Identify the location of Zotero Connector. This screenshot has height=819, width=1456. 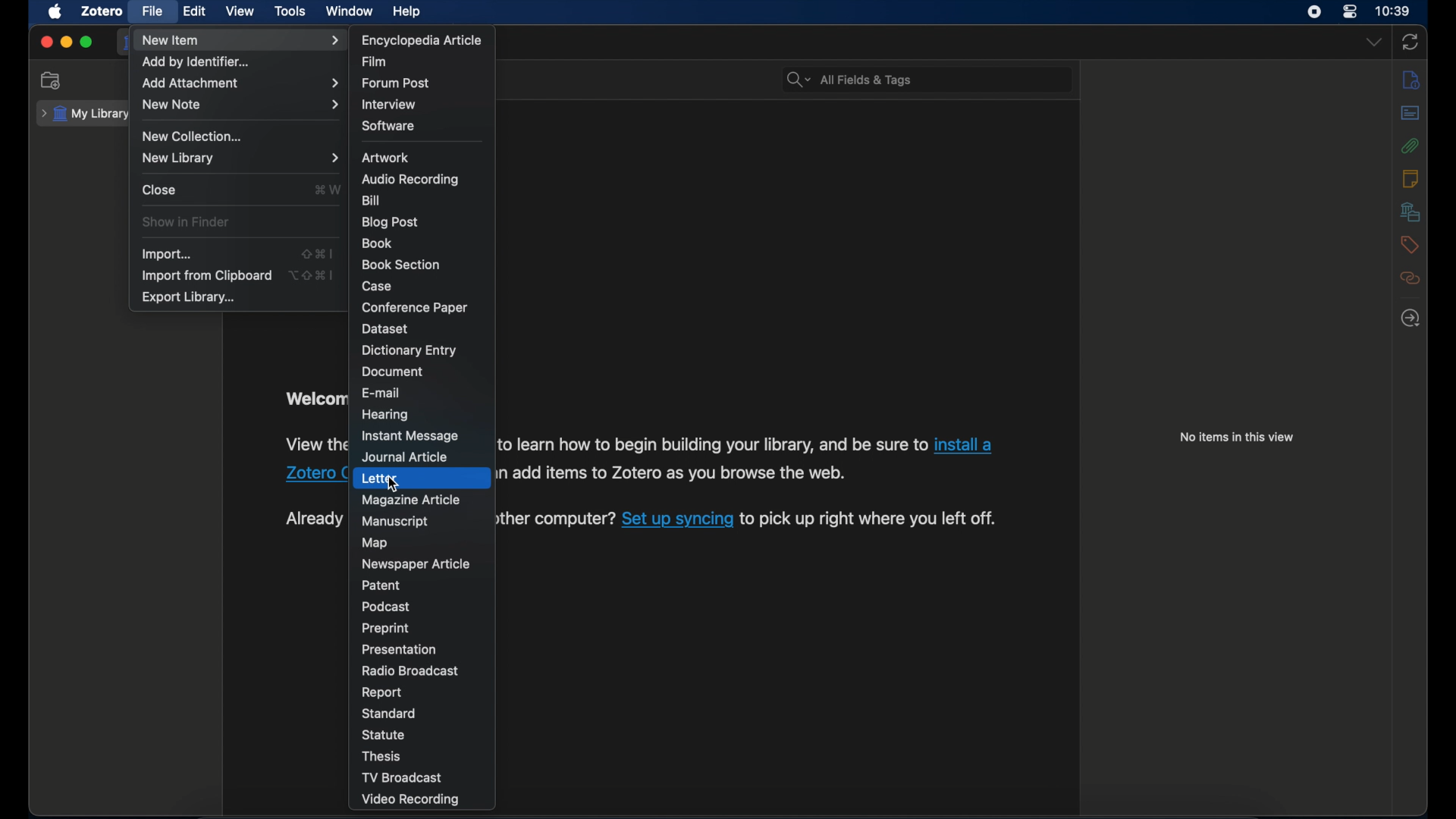
(317, 472).